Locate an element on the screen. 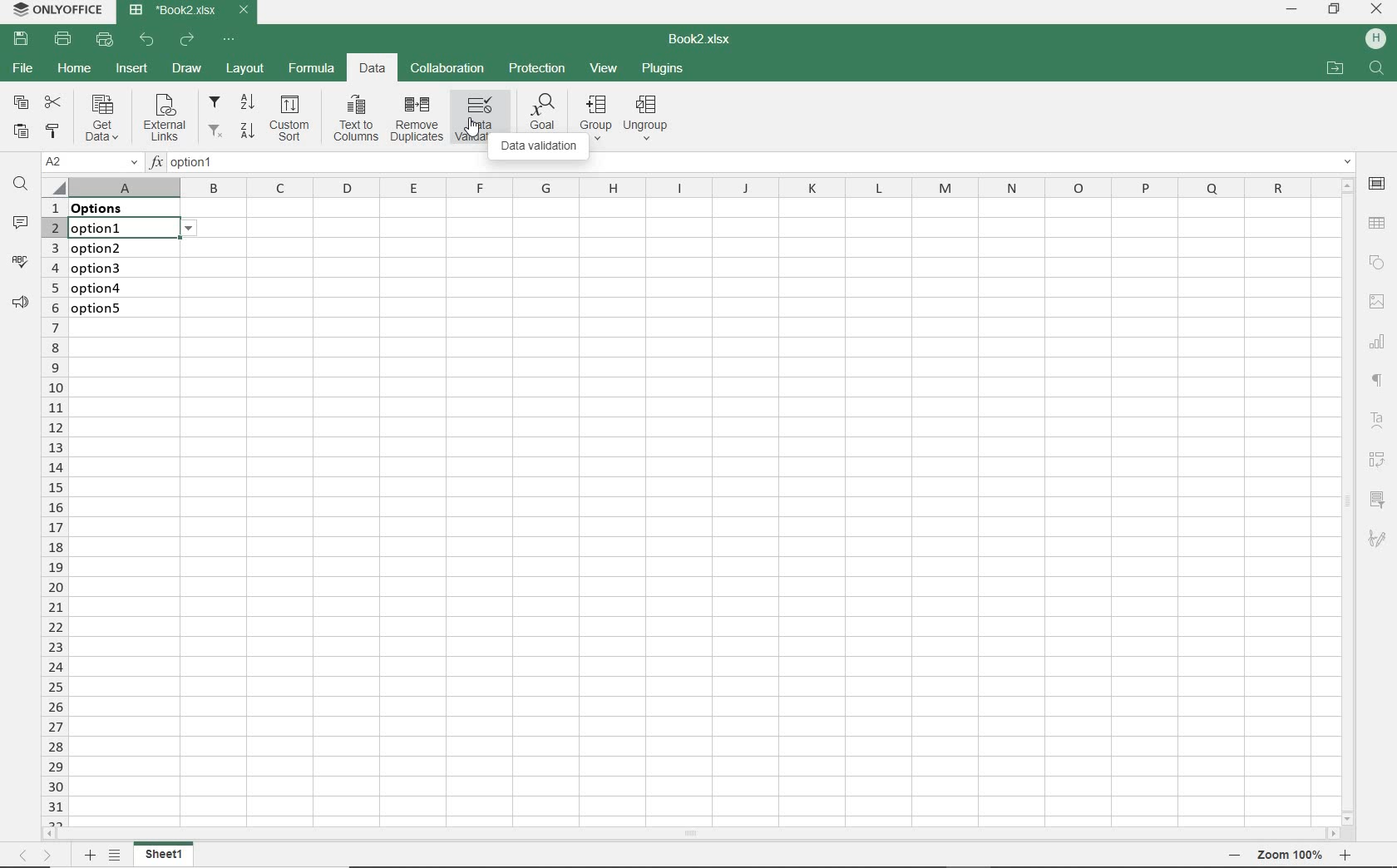 This screenshot has width=1397, height=868. filter from A to Z is located at coordinates (233, 102).